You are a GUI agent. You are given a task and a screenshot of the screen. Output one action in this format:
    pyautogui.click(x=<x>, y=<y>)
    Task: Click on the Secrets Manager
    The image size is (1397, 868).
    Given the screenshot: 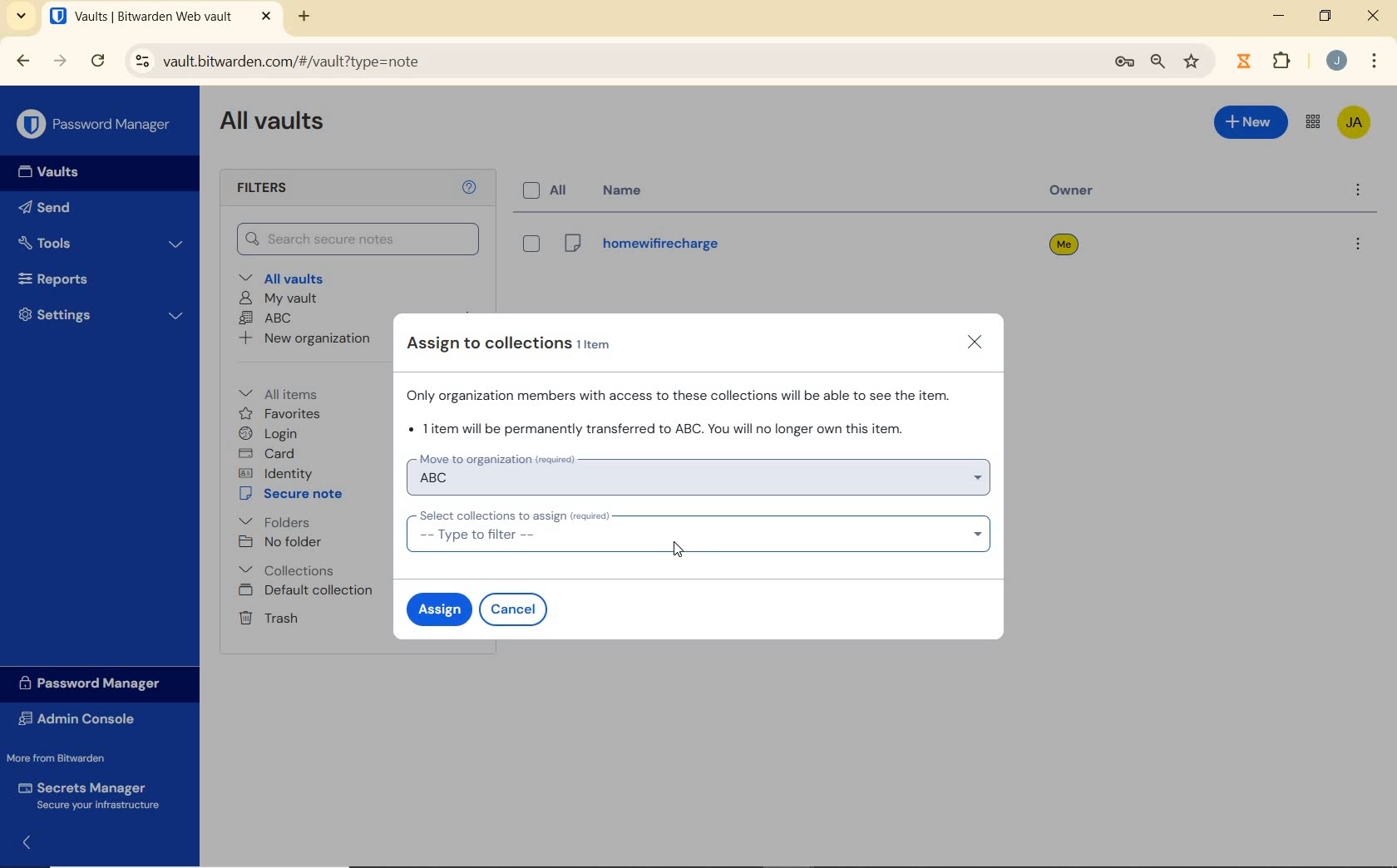 What is the action you would take?
    pyautogui.click(x=93, y=795)
    